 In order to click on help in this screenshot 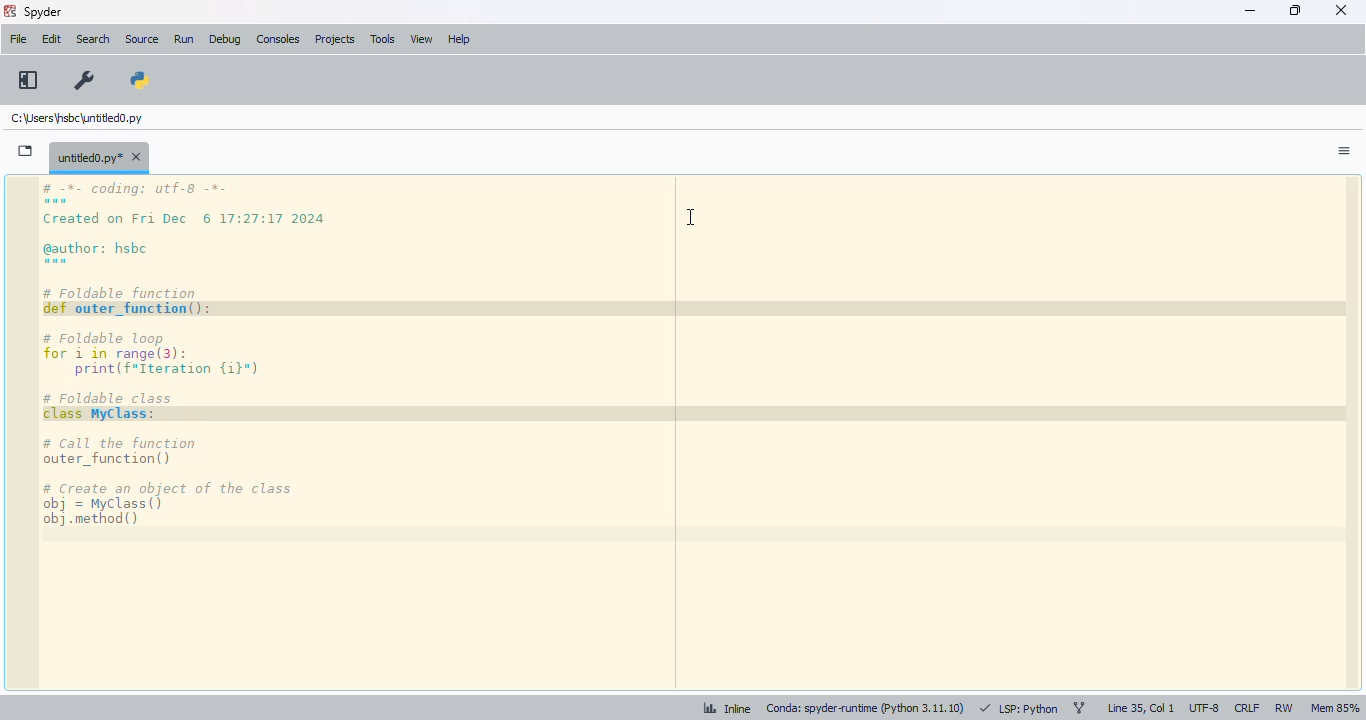, I will do `click(459, 39)`.